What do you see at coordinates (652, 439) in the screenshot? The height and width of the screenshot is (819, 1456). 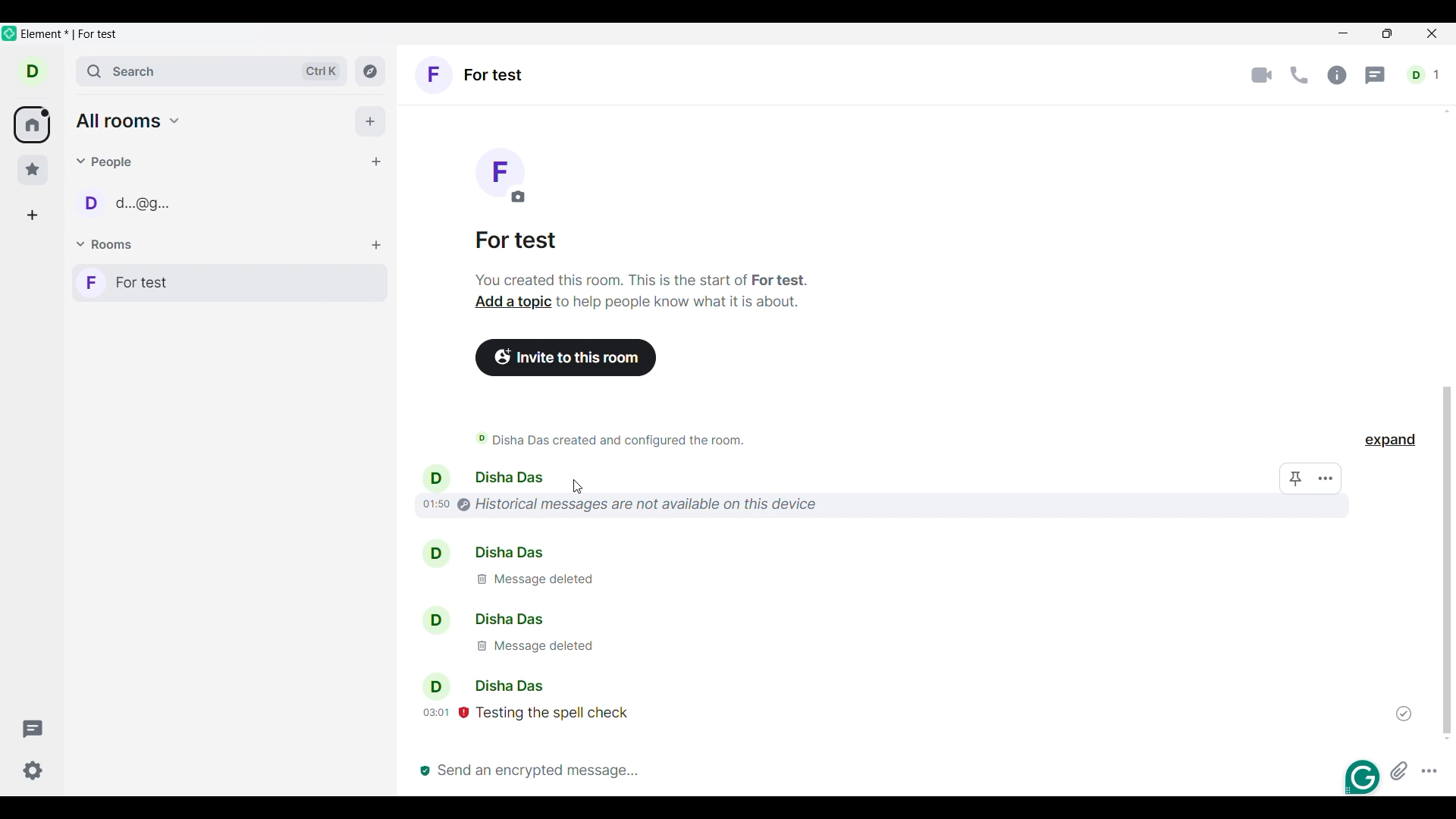 I see `Disha Das created and configured the room.` at bounding box center [652, 439].